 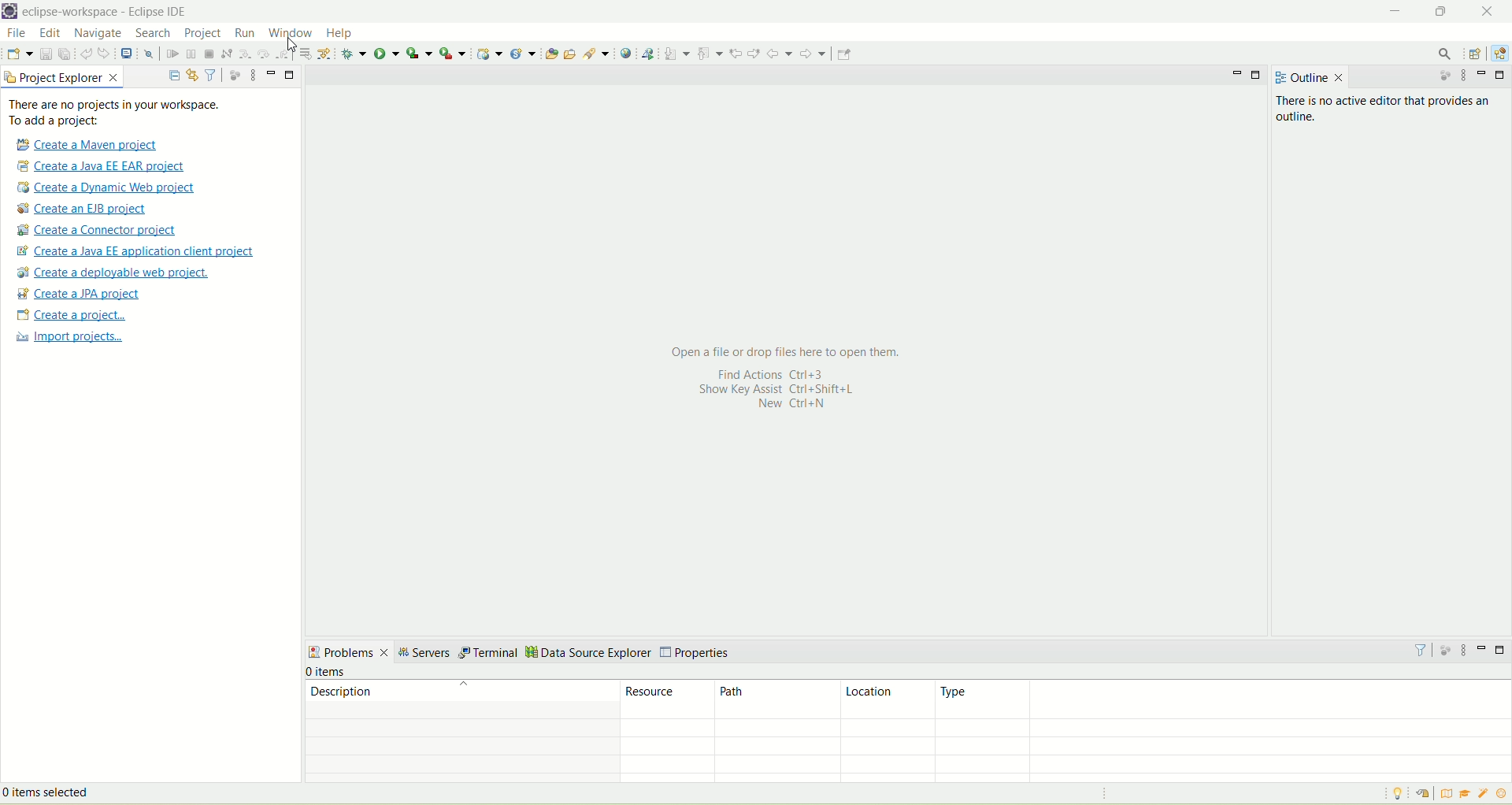 I want to click on cursor, so click(x=291, y=43).